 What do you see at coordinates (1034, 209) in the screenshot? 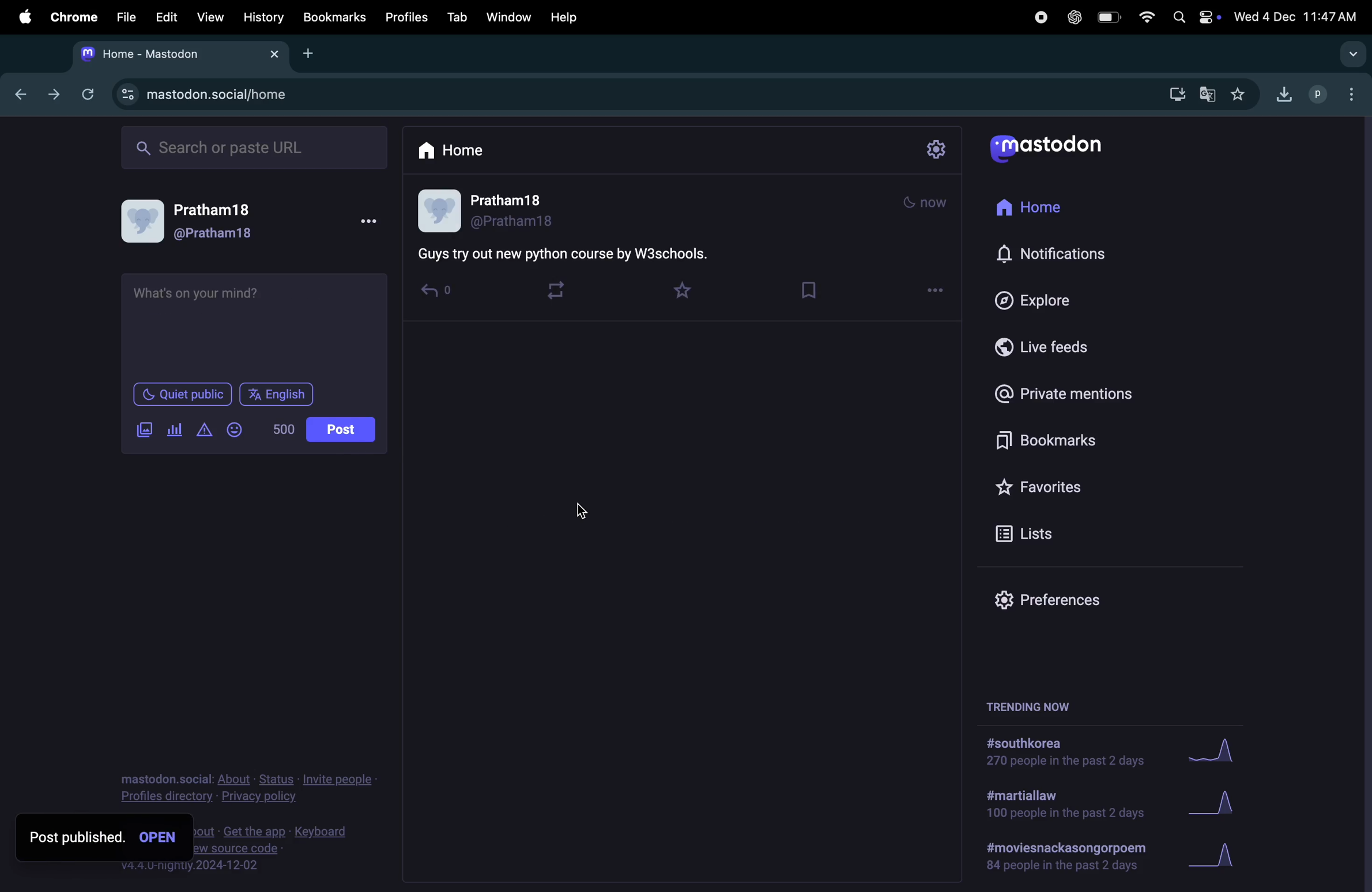
I see `home` at bounding box center [1034, 209].